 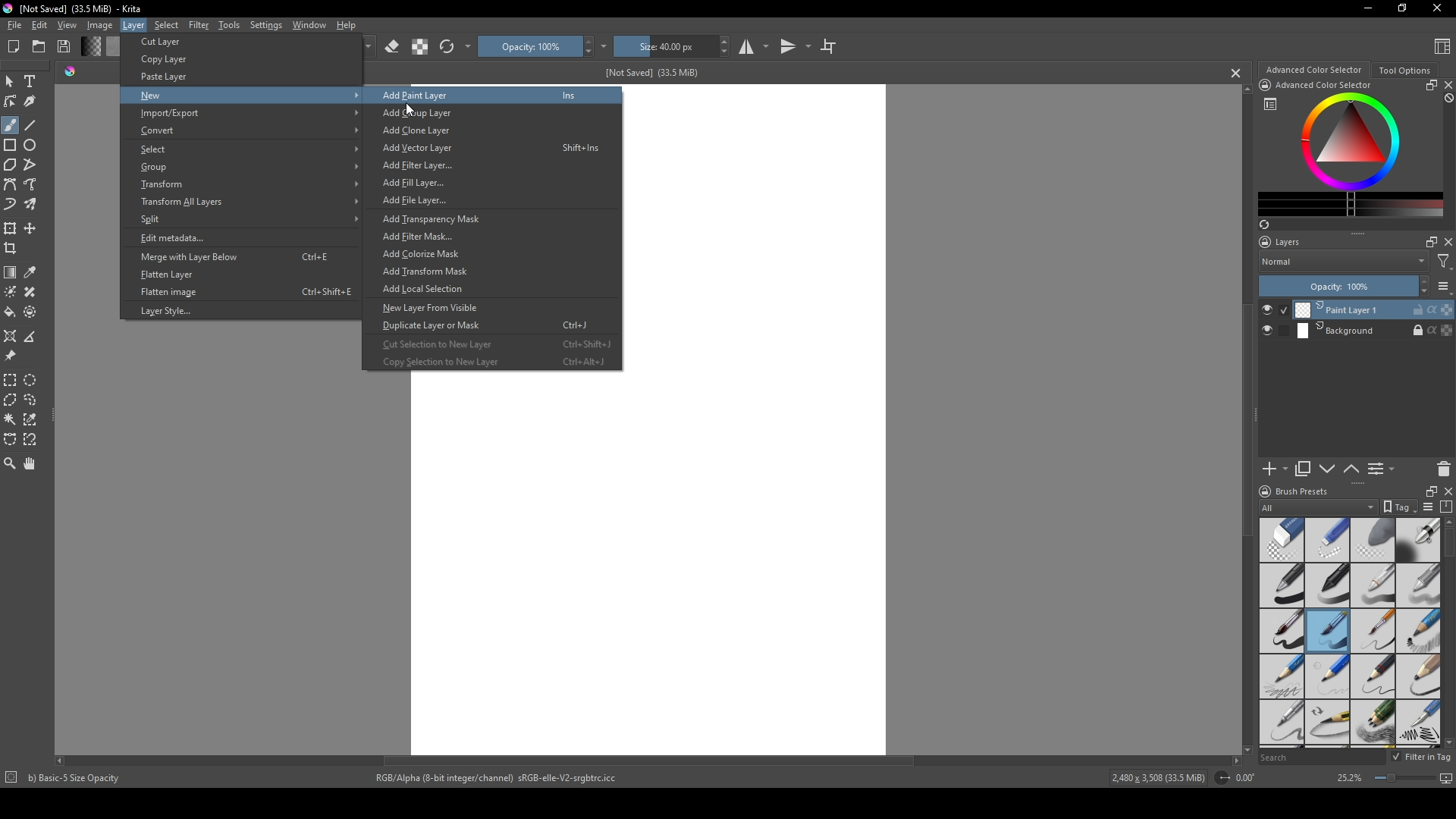 I want to click on Add Filter Layer..., so click(x=418, y=165).